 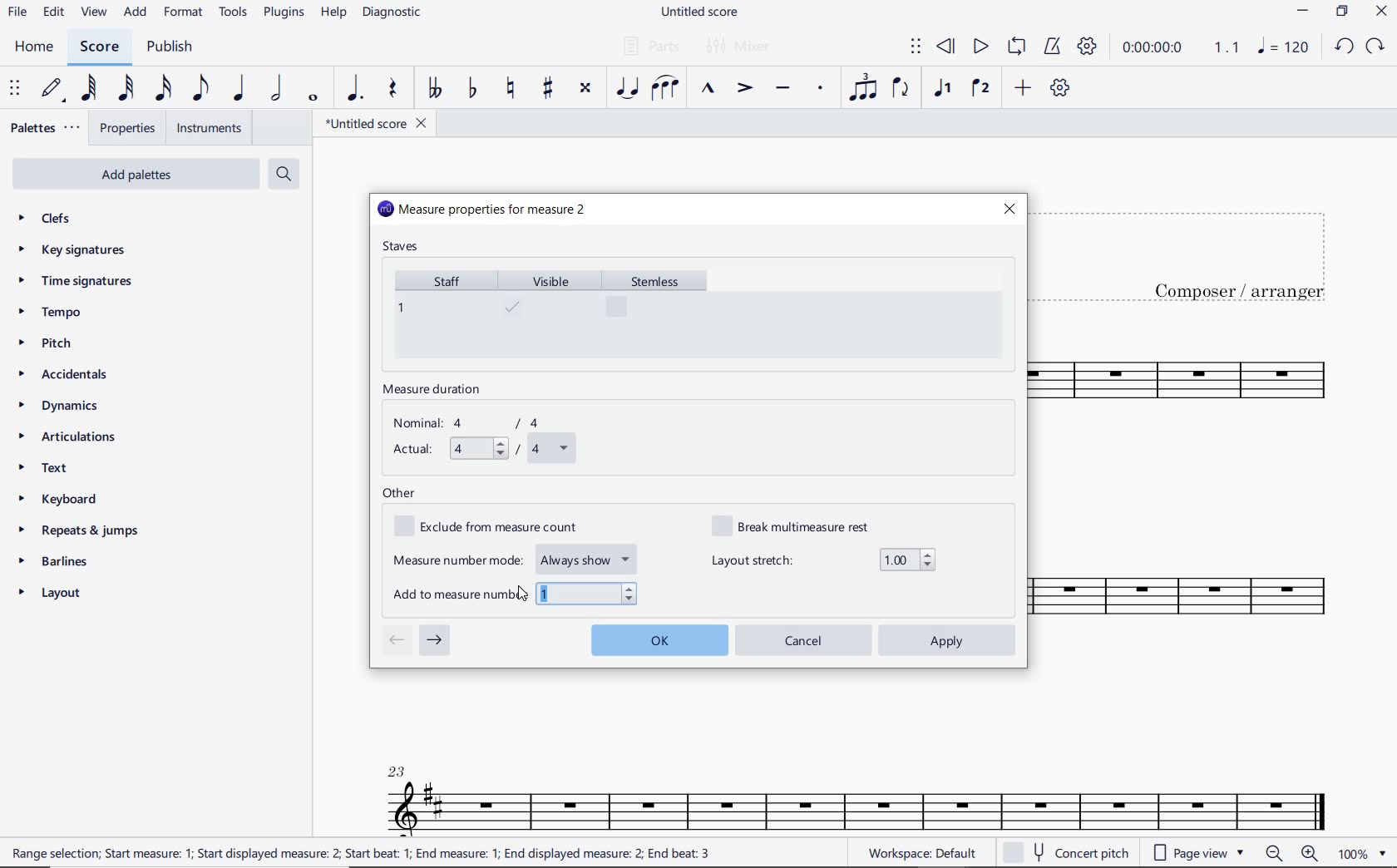 I want to click on FILE NAME, so click(x=703, y=12).